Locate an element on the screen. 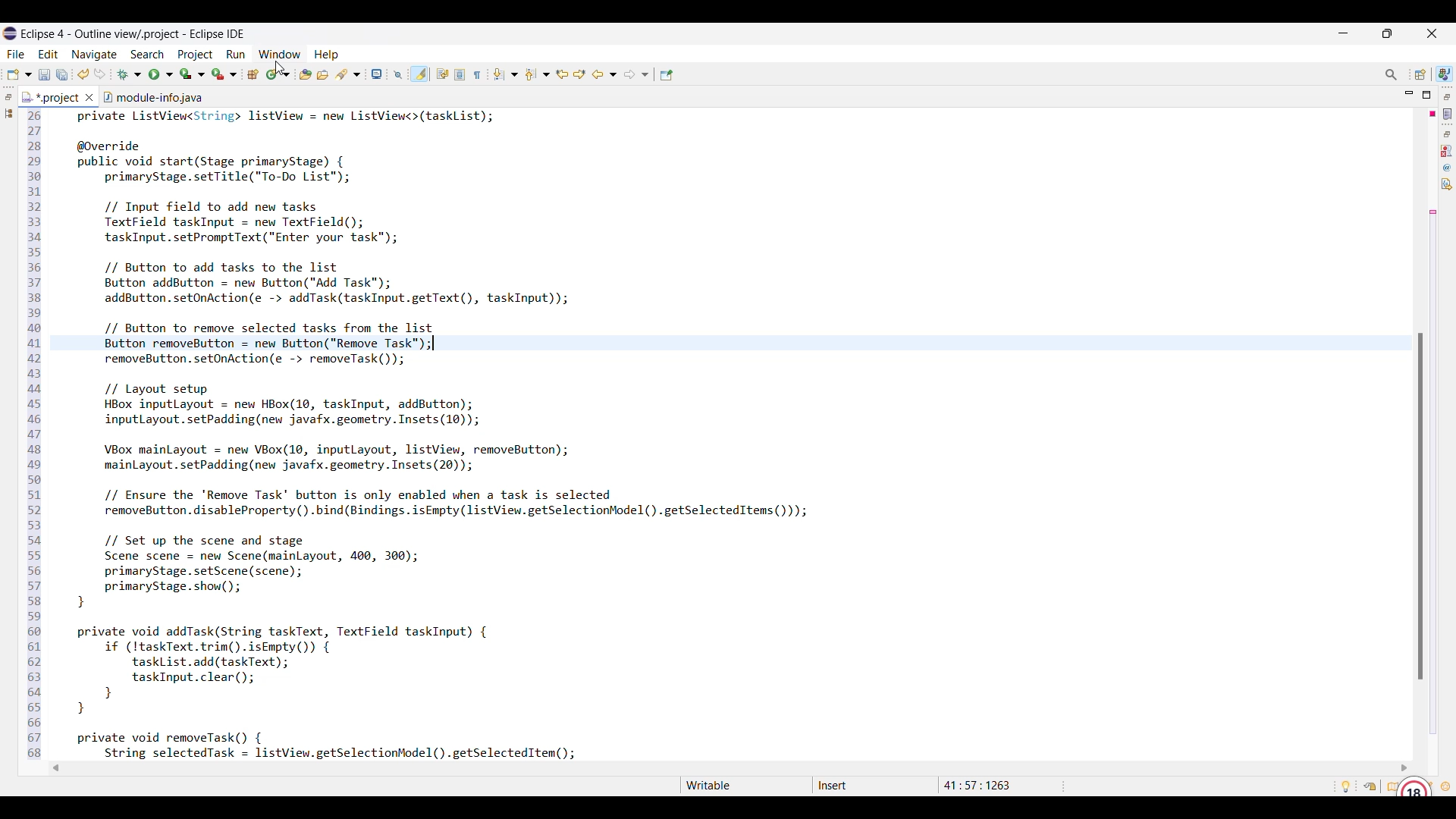 The width and height of the screenshot is (1456, 819). Next annotation is located at coordinates (505, 74).